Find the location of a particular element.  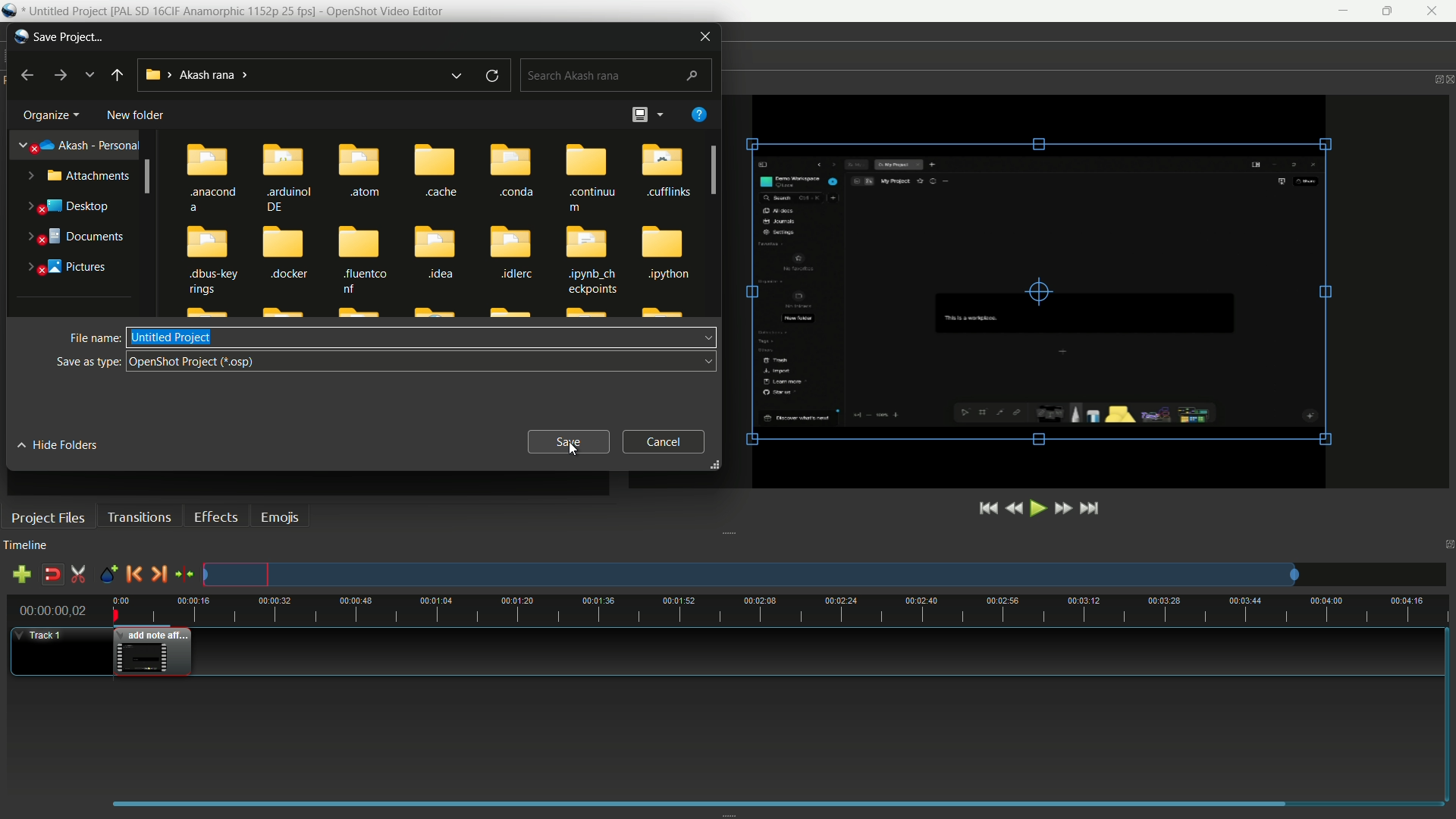

get help is located at coordinates (698, 115).